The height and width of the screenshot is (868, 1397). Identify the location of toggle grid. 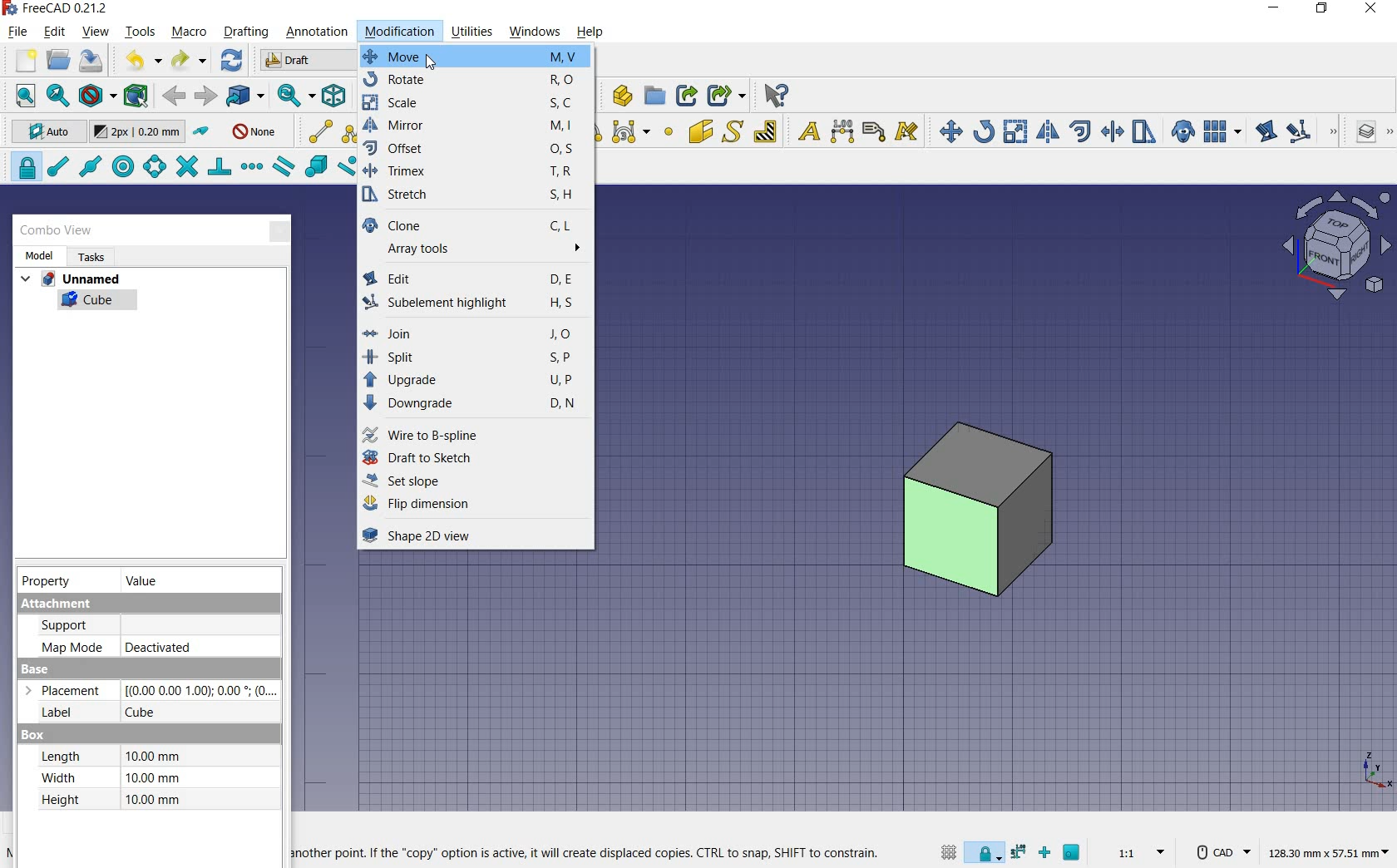
(949, 854).